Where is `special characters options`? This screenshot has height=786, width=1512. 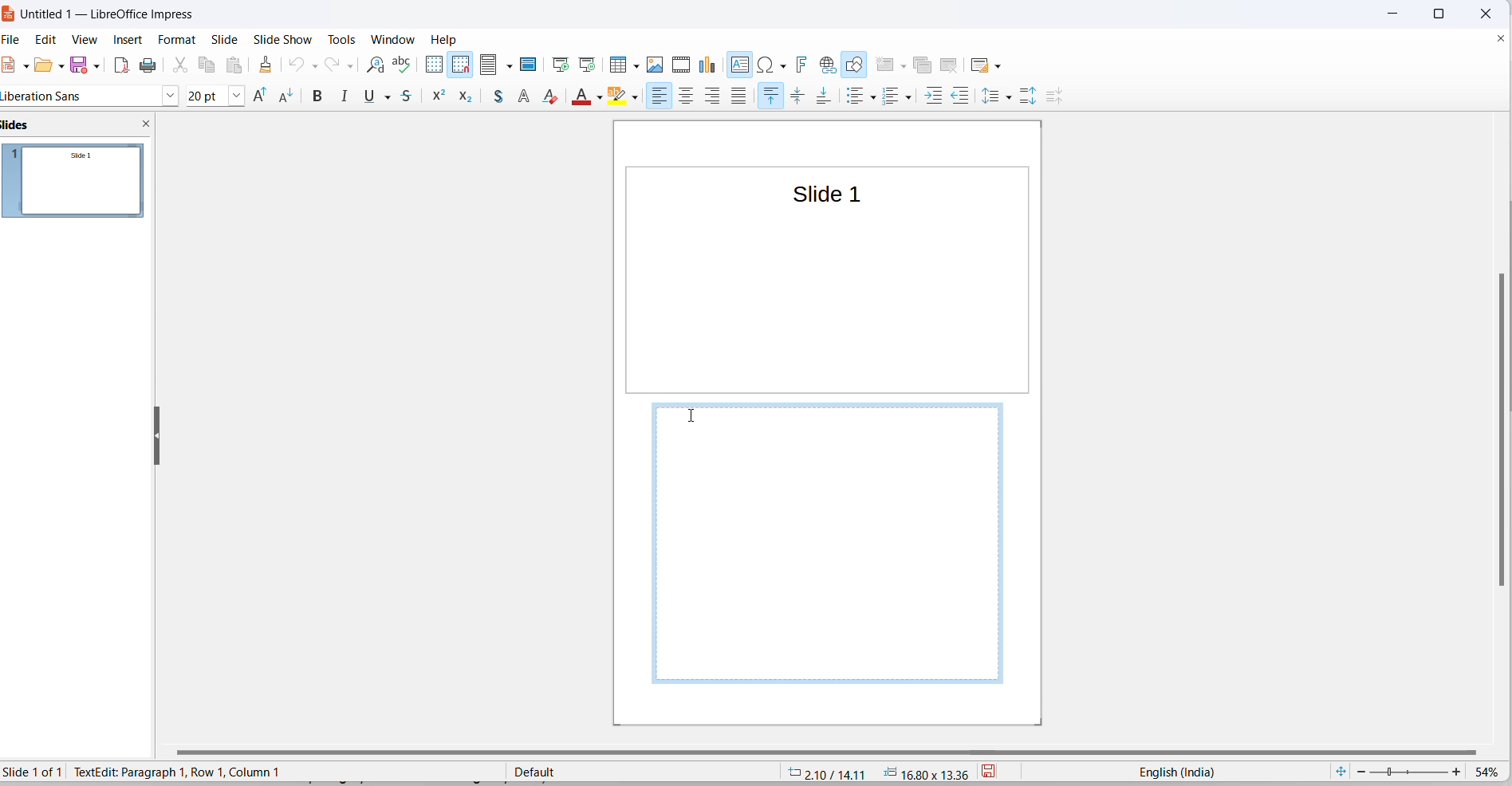
special characters options is located at coordinates (782, 64).